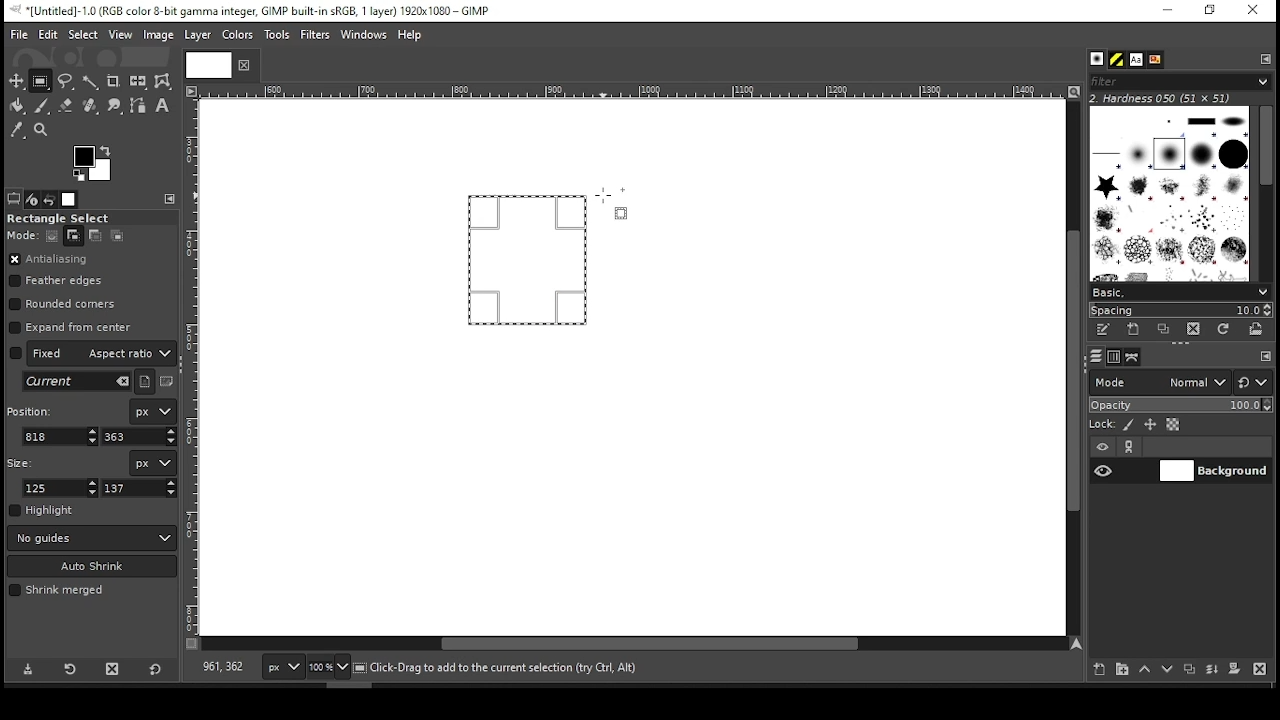 The image size is (1280, 720). I want to click on 818,363, so click(221, 667).